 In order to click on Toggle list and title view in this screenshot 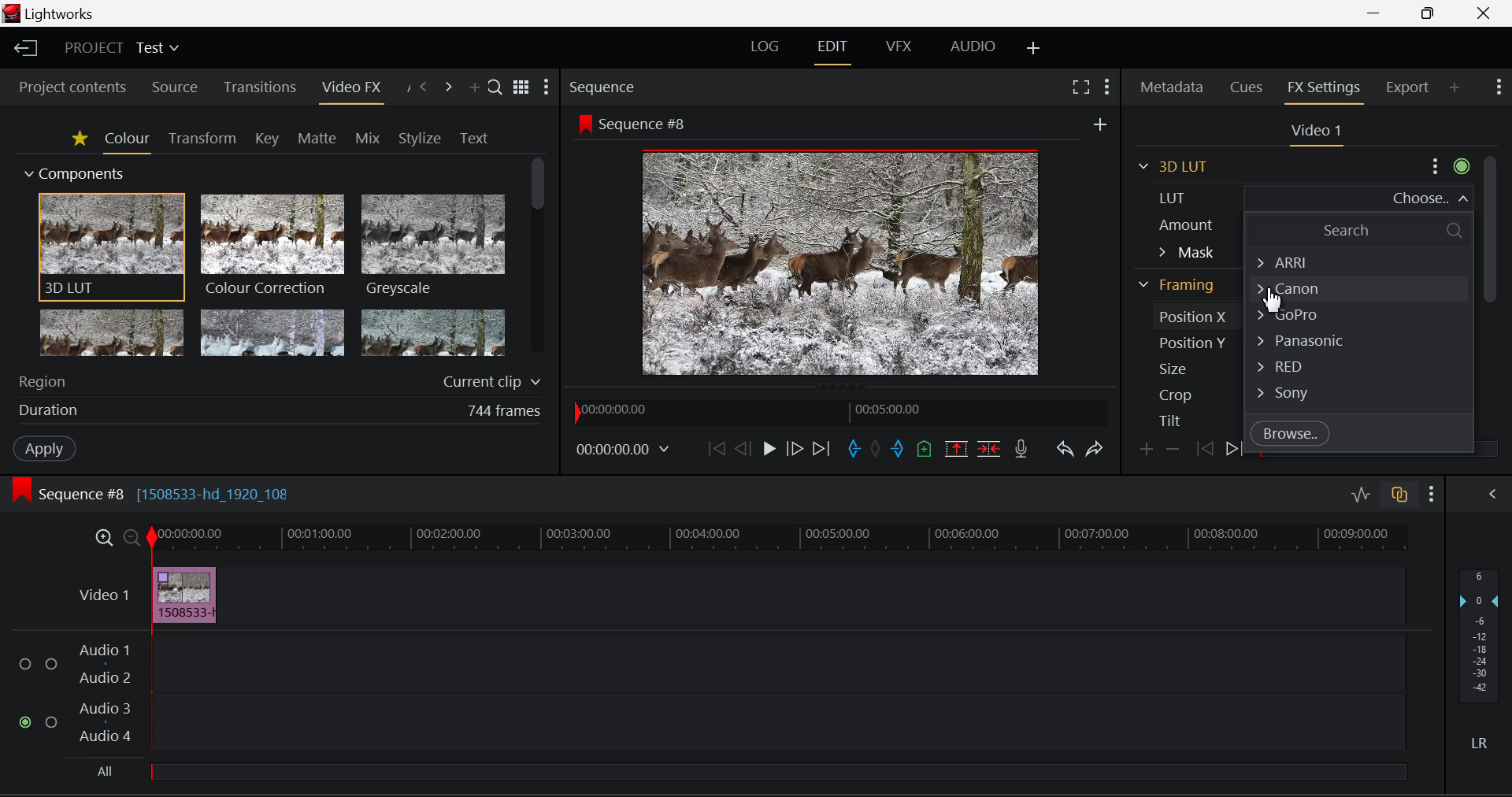, I will do `click(521, 85)`.